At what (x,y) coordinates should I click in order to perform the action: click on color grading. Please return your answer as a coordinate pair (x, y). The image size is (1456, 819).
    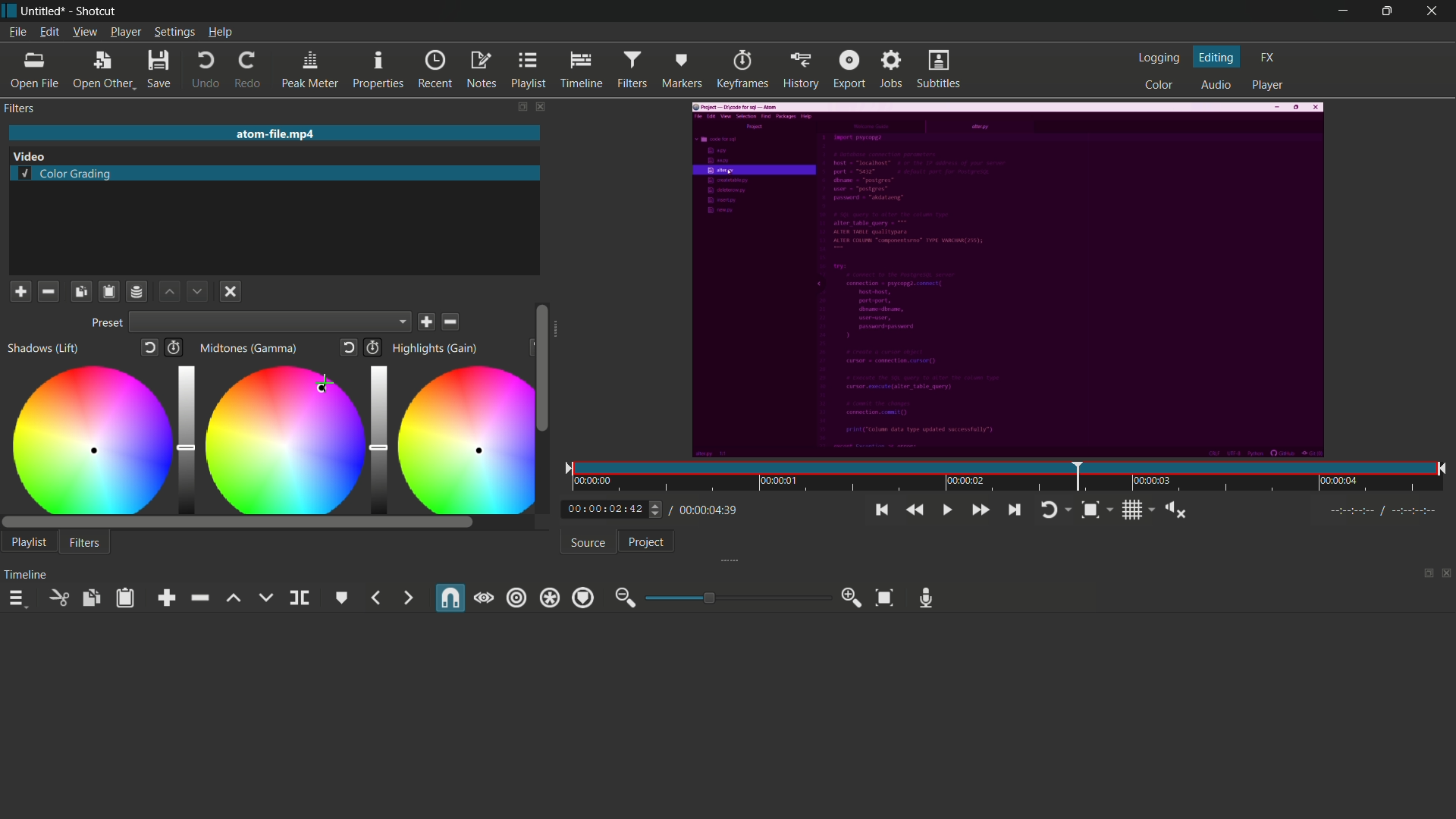
    Looking at the image, I should click on (66, 175).